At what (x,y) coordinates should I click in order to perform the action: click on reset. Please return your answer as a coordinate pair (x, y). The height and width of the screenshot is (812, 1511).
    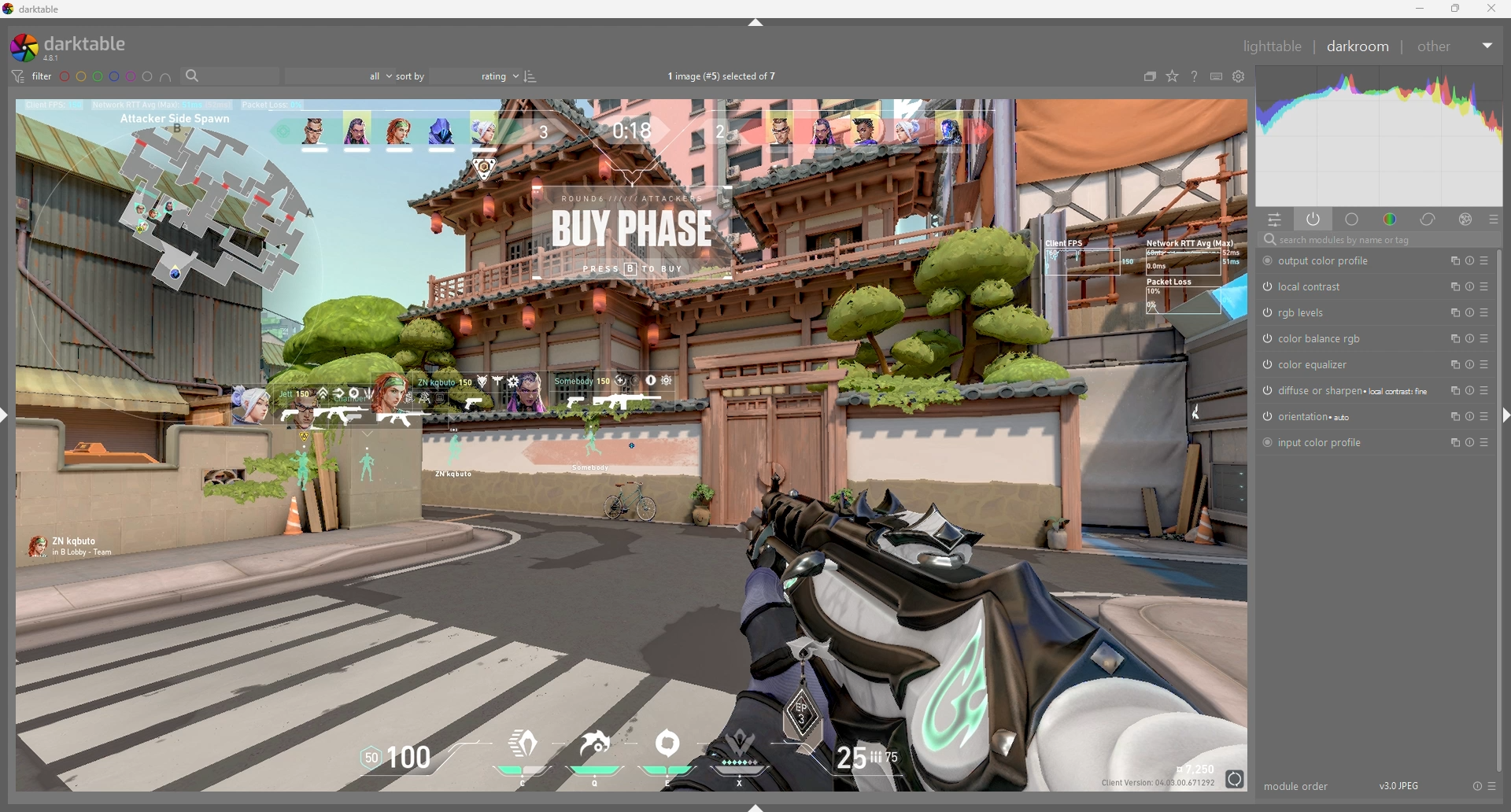
    Looking at the image, I should click on (1470, 315).